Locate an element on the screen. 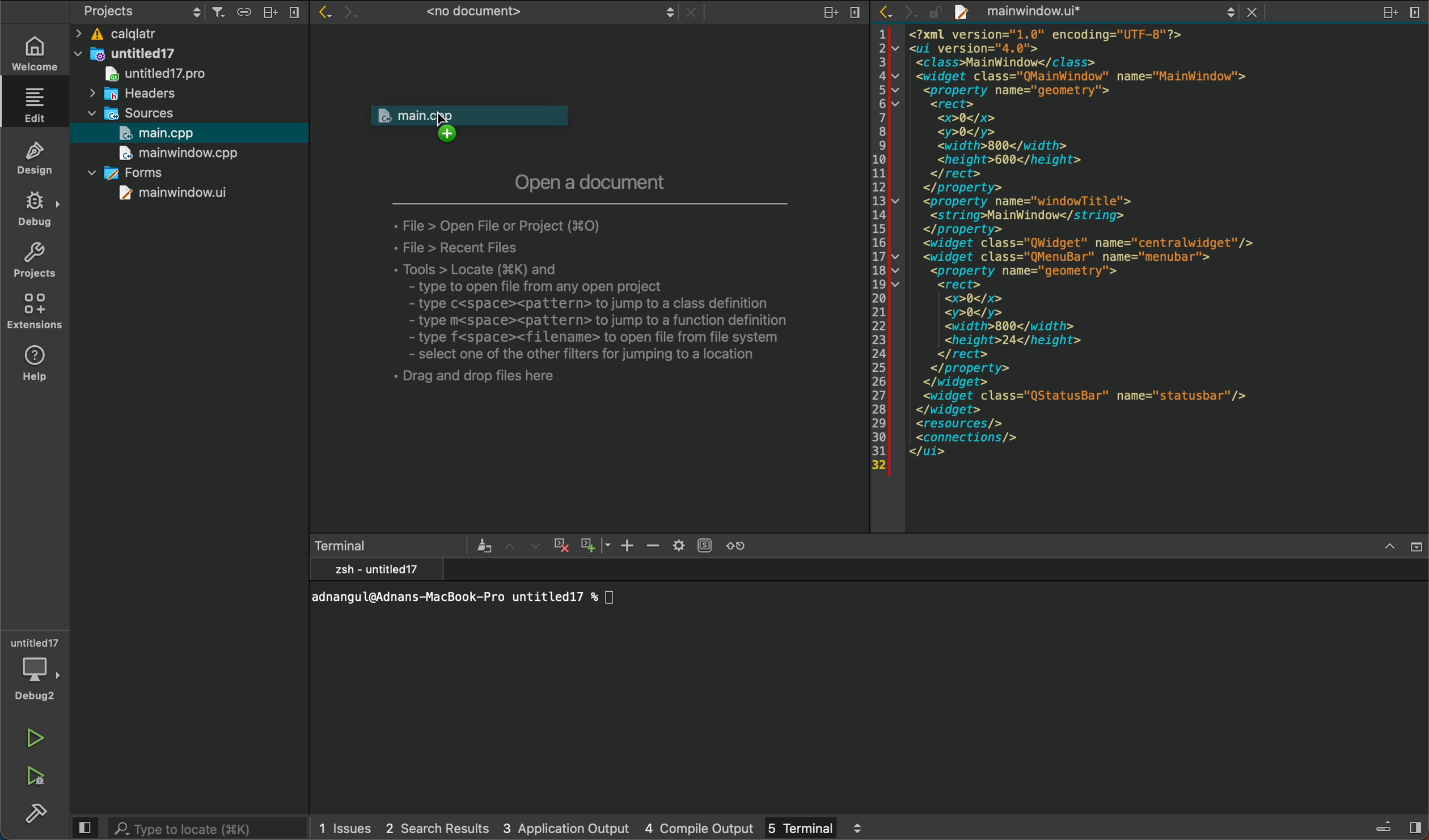 The image size is (1429, 840). extensions is located at coordinates (38, 314).